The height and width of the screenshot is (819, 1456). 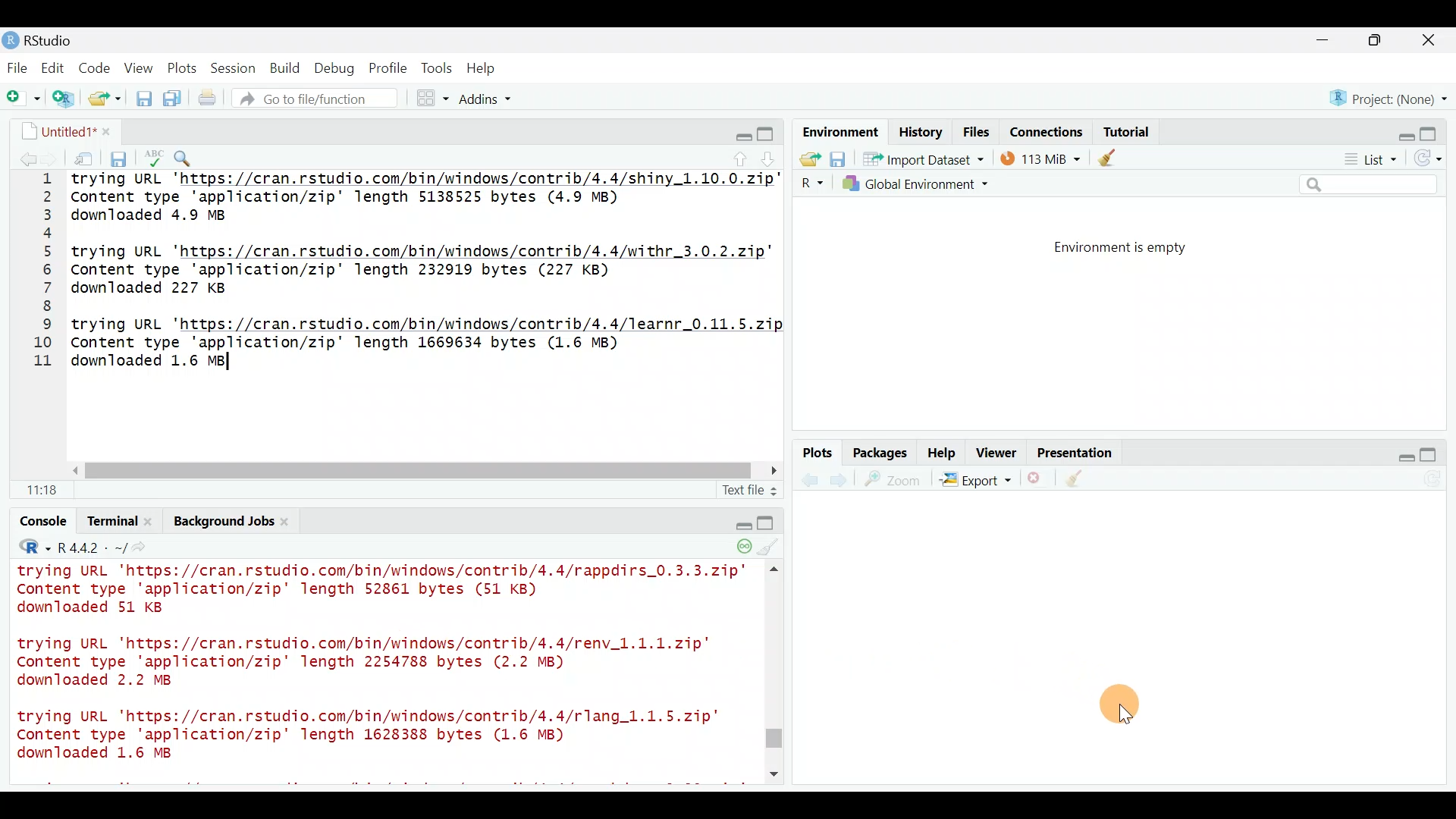 What do you see at coordinates (806, 158) in the screenshot?
I see `Load workspace` at bounding box center [806, 158].